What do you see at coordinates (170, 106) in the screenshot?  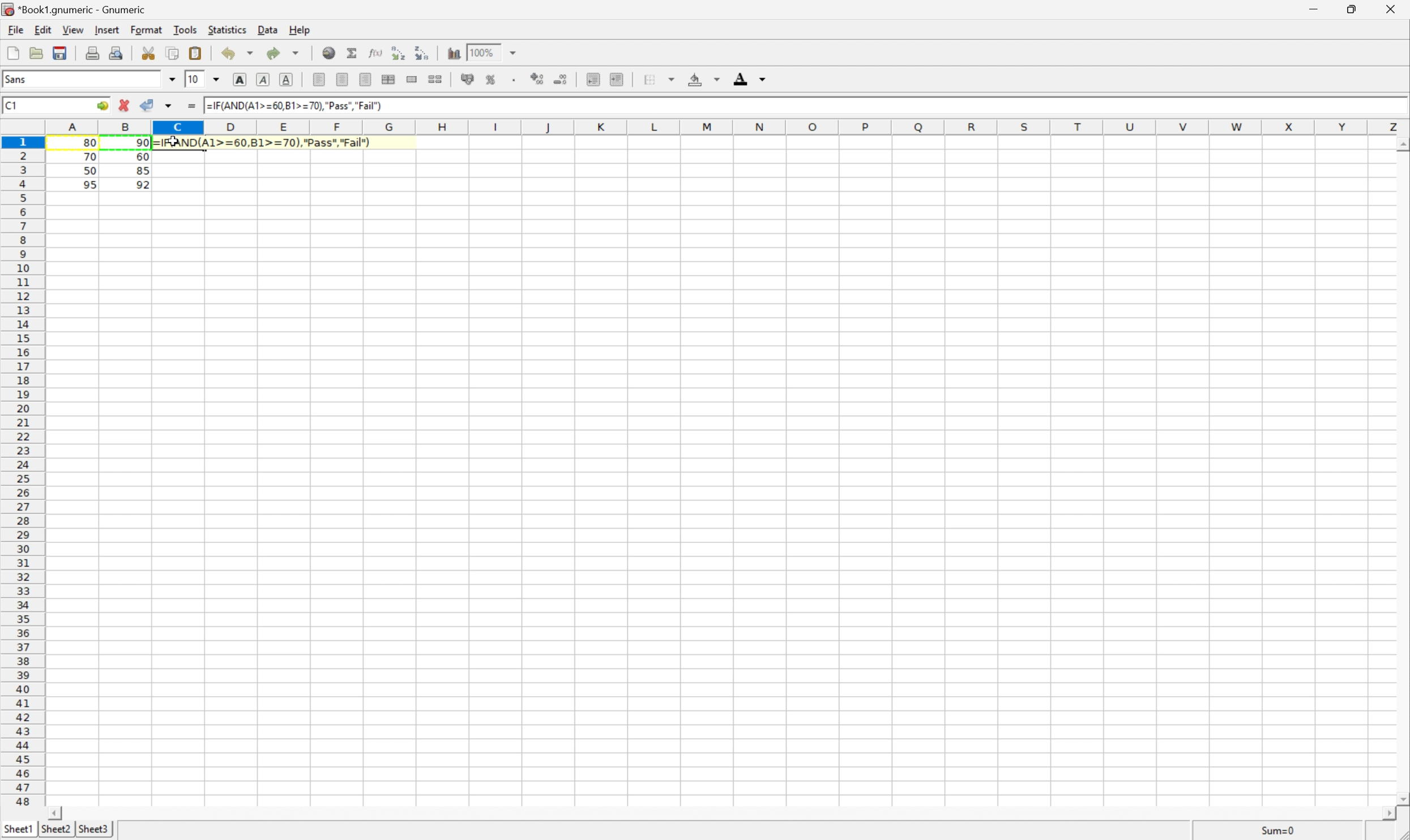 I see `Accept changes in multiple changes` at bounding box center [170, 106].